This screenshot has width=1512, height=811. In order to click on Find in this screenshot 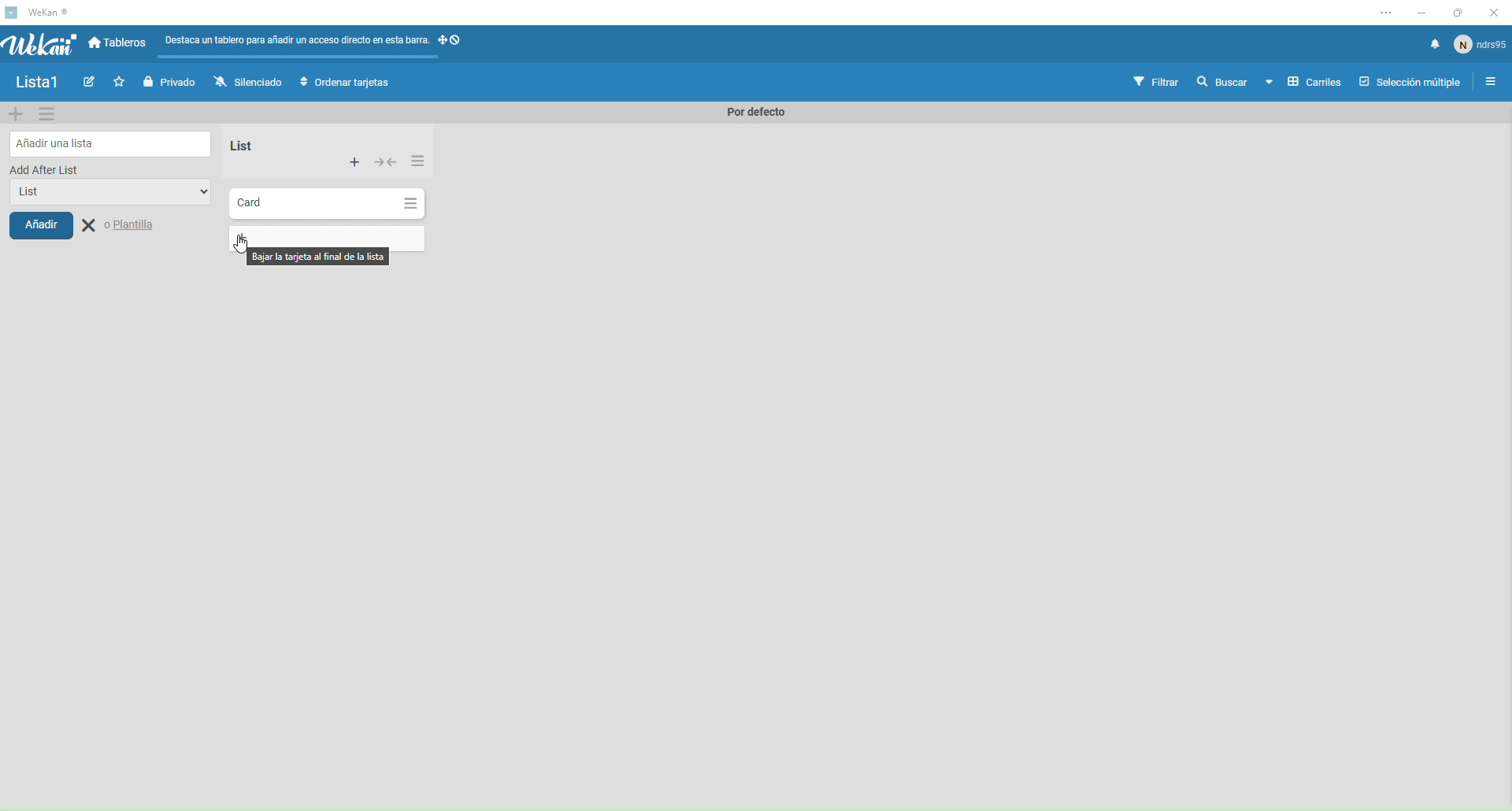, I will do `click(1221, 82)`.